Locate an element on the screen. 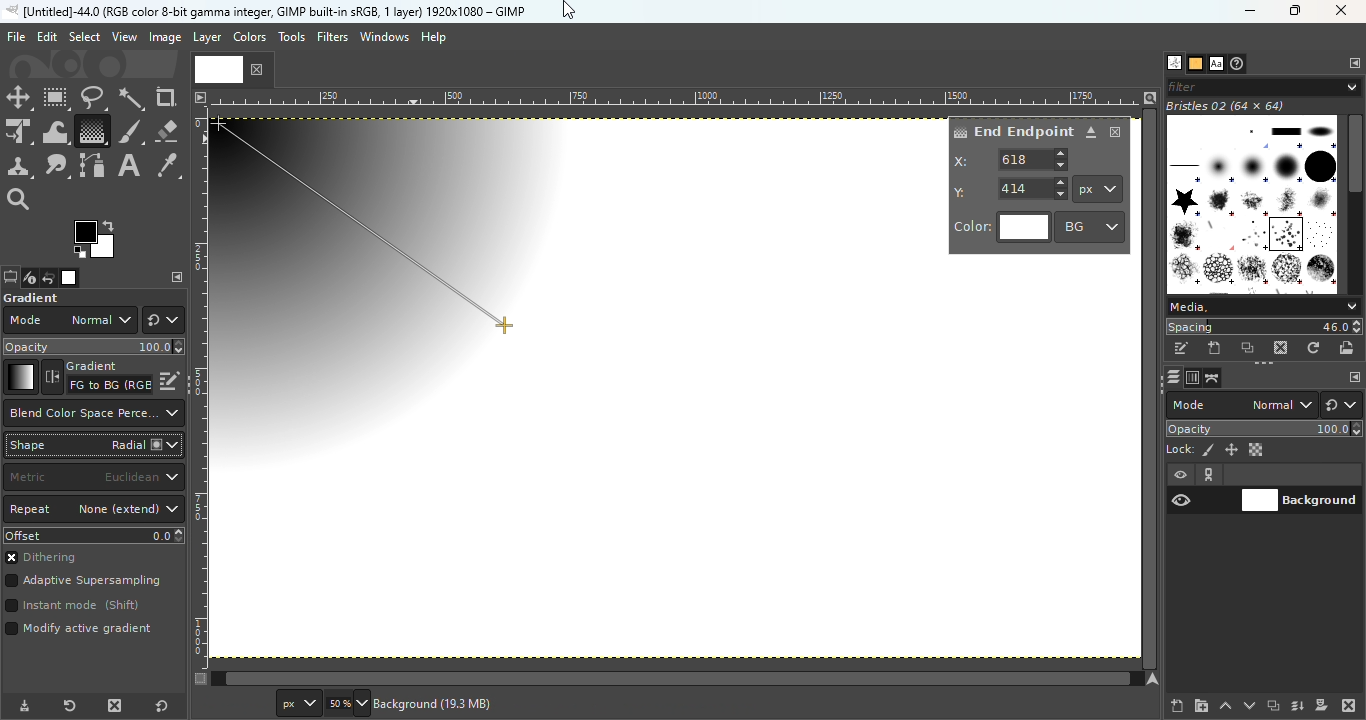  Image Box is located at coordinates (1252, 197).